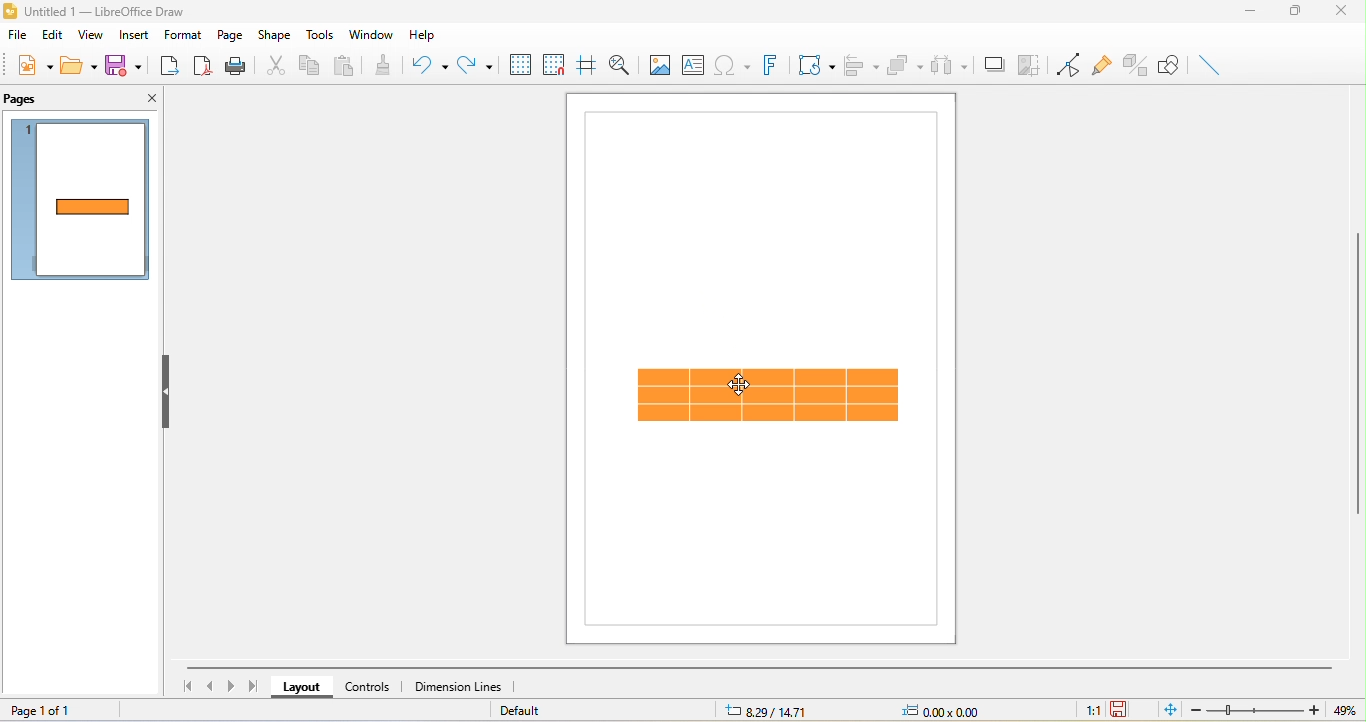 The image size is (1366, 722). I want to click on close, so click(1347, 12).